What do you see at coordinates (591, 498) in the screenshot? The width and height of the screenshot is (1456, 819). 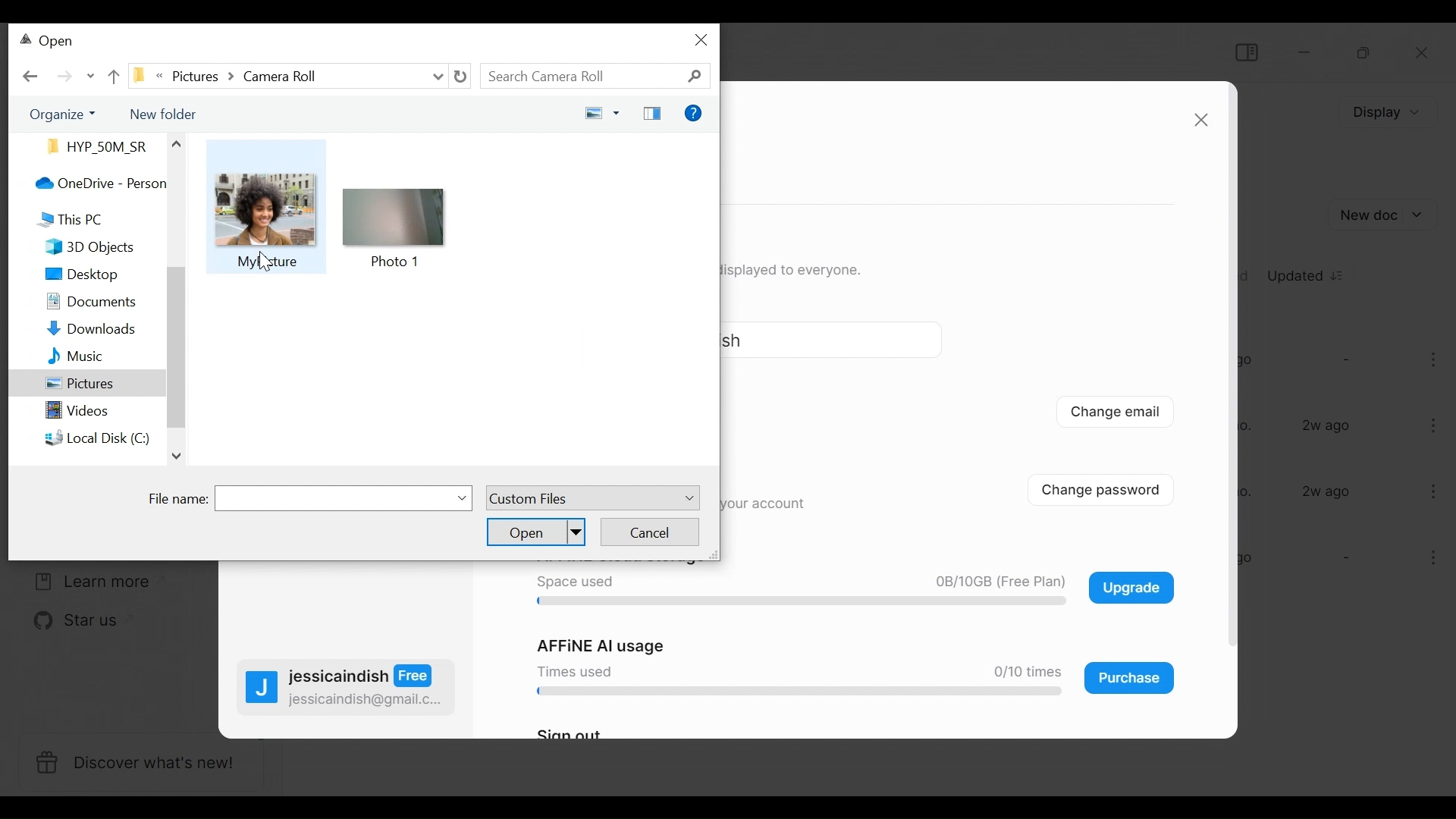 I see `Custom Files` at bounding box center [591, 498].